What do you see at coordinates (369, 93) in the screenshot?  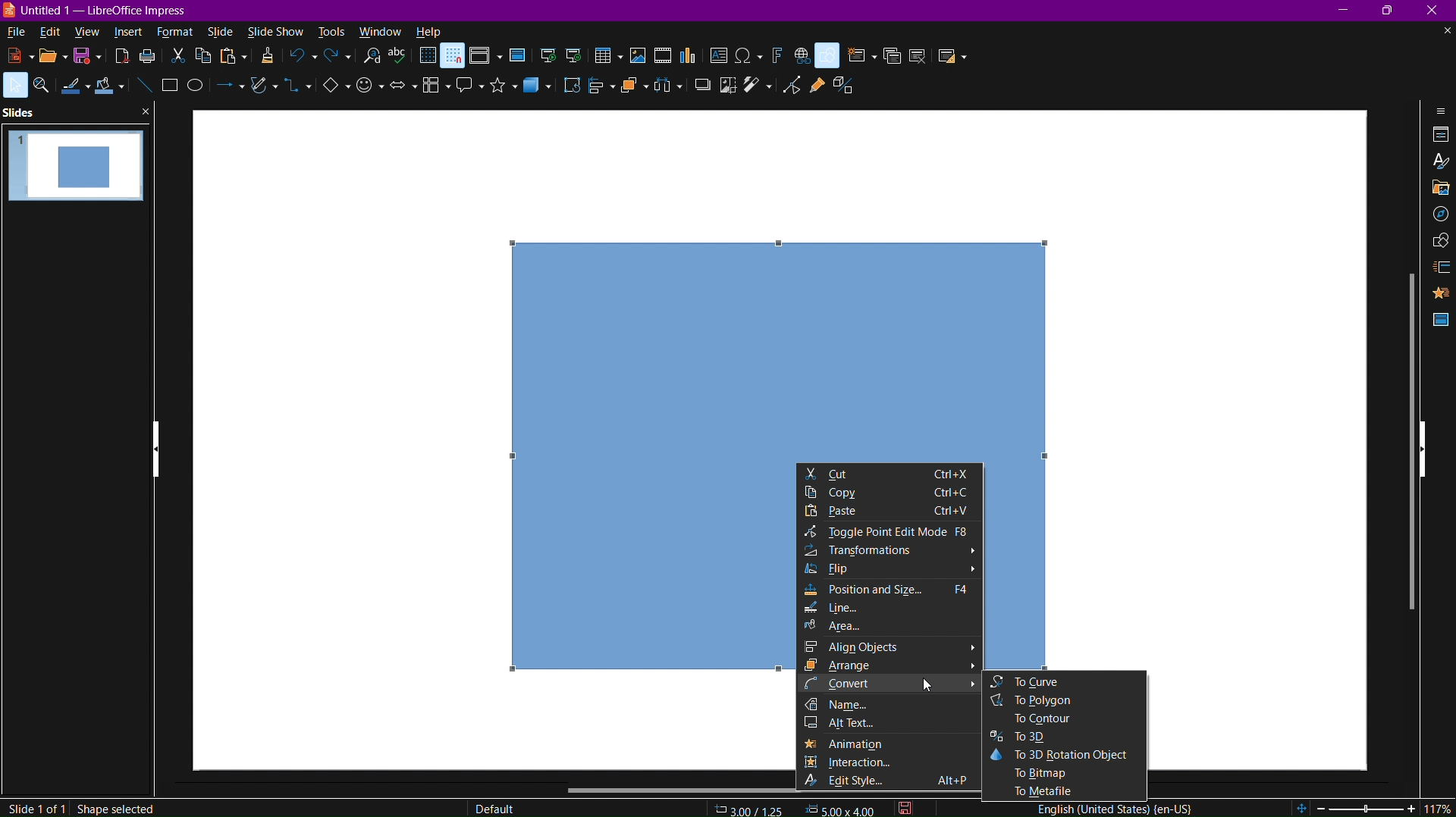 I see `Symbol Shapes` at bounding box center [369, 93].